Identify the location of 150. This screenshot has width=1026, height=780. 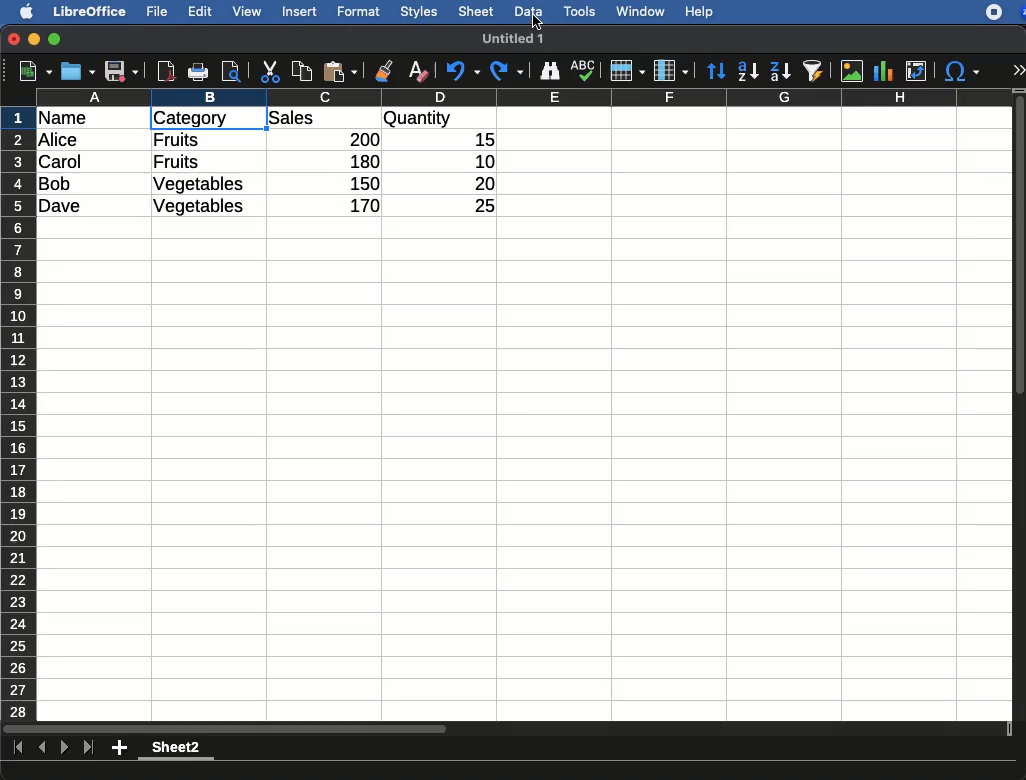
(361, 183).